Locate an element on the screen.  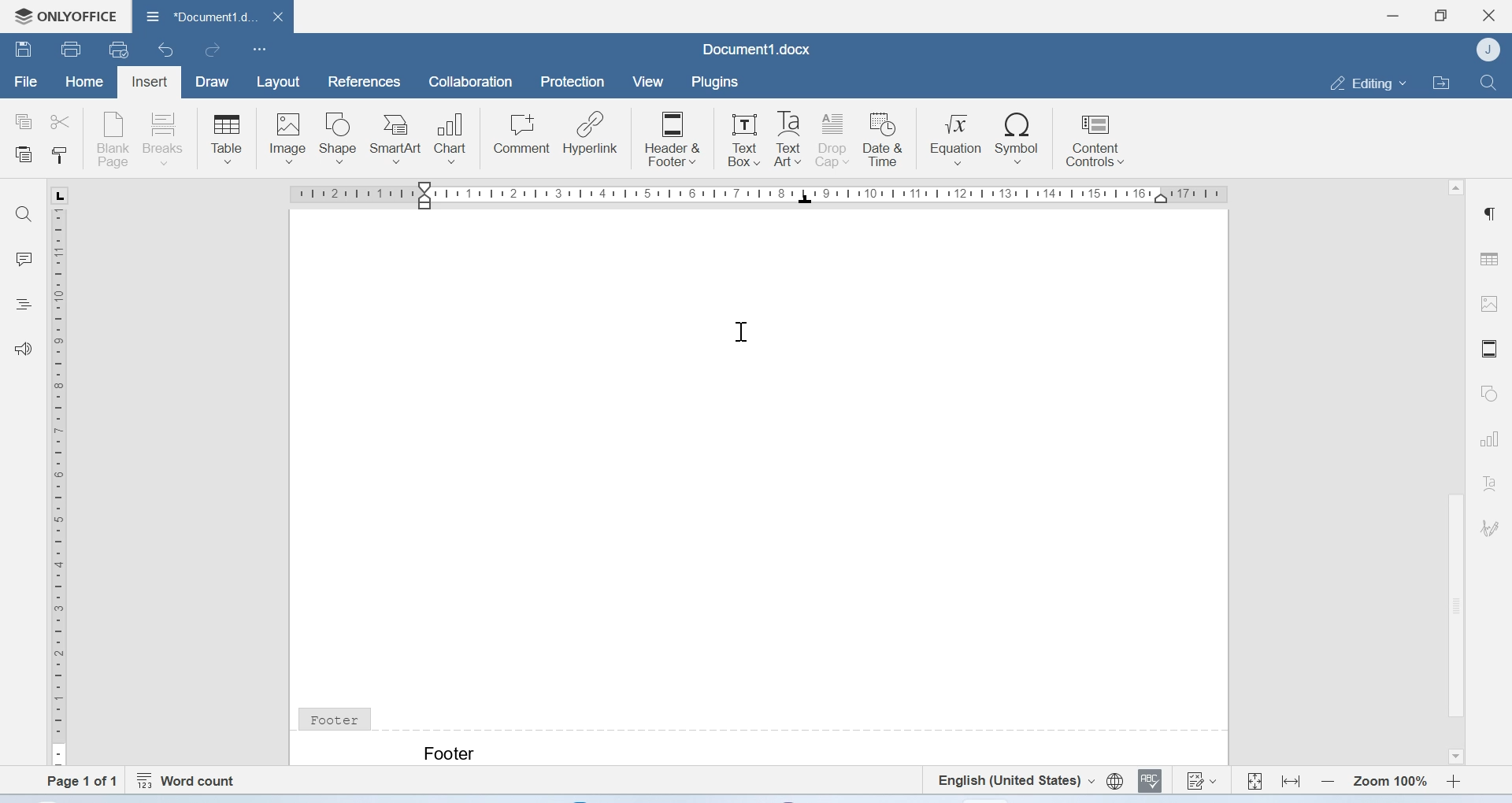
Customize Quick Access Toolbar is located at coordinates (260, 50).